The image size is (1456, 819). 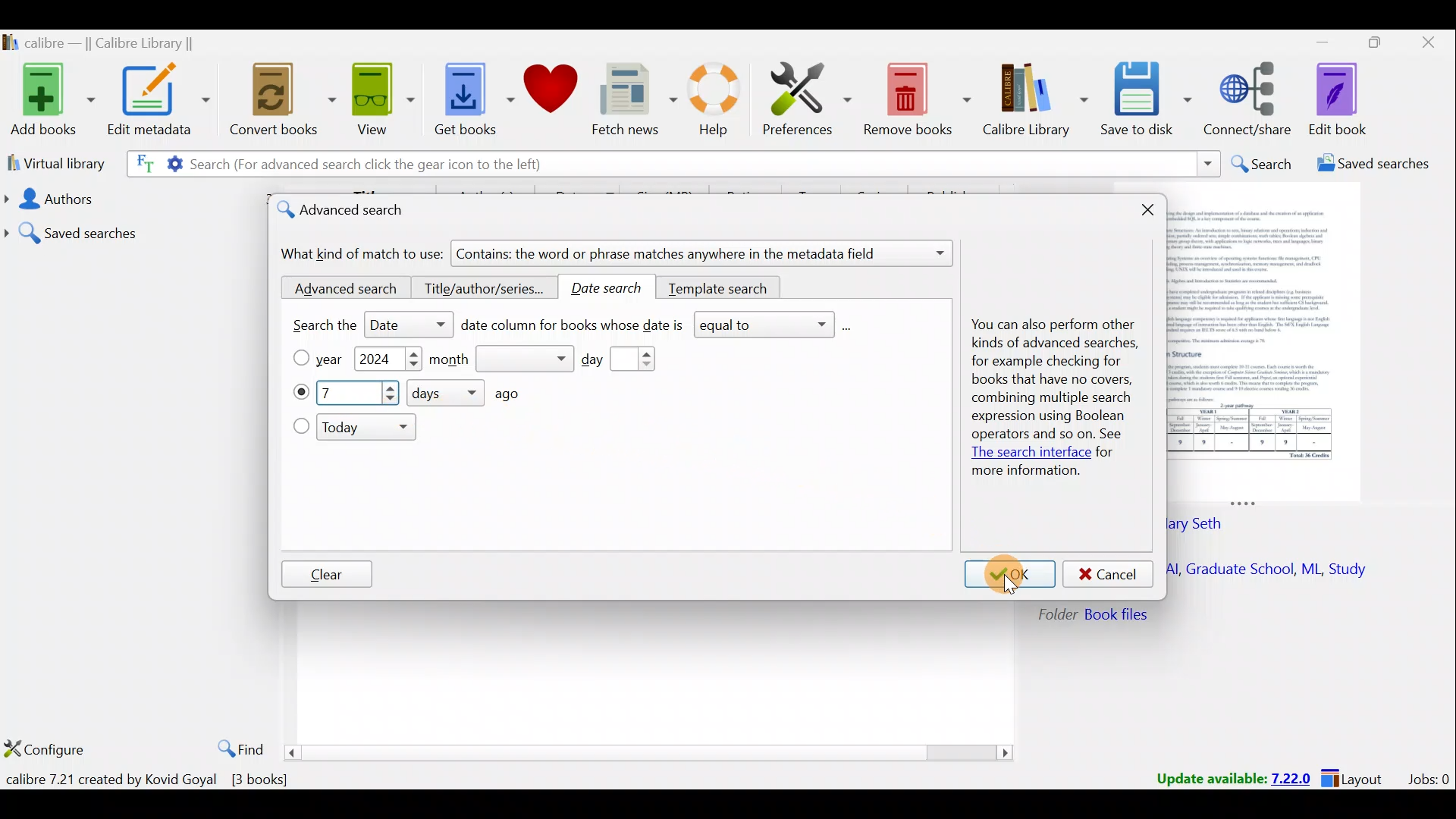 What do you see at coordinates (151, 780) in the screenshot?
I see `calibre 7.21 created by Kovid Goyal [3 books]` at bounding box center [151, 780].